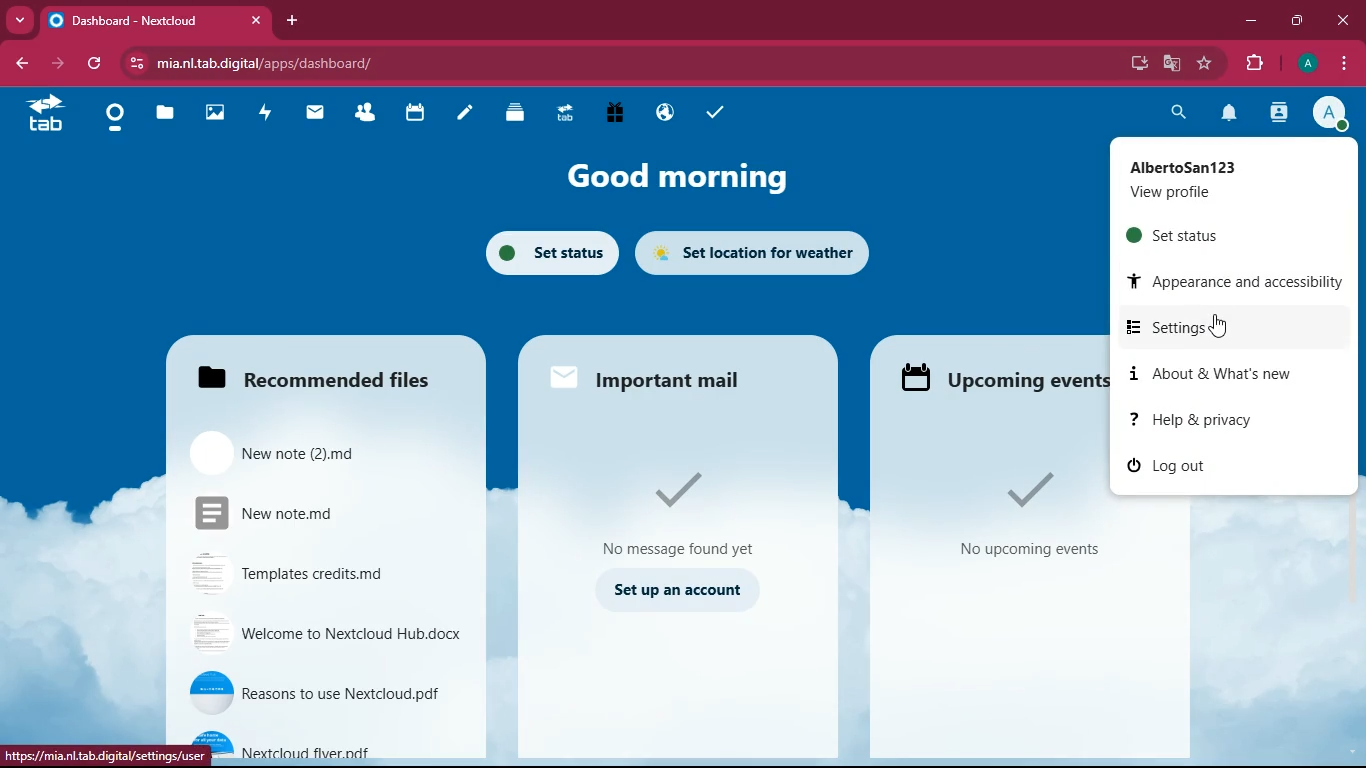 The image size is (1366, 768). I want to click on New note(2).md, so click(286, 450).